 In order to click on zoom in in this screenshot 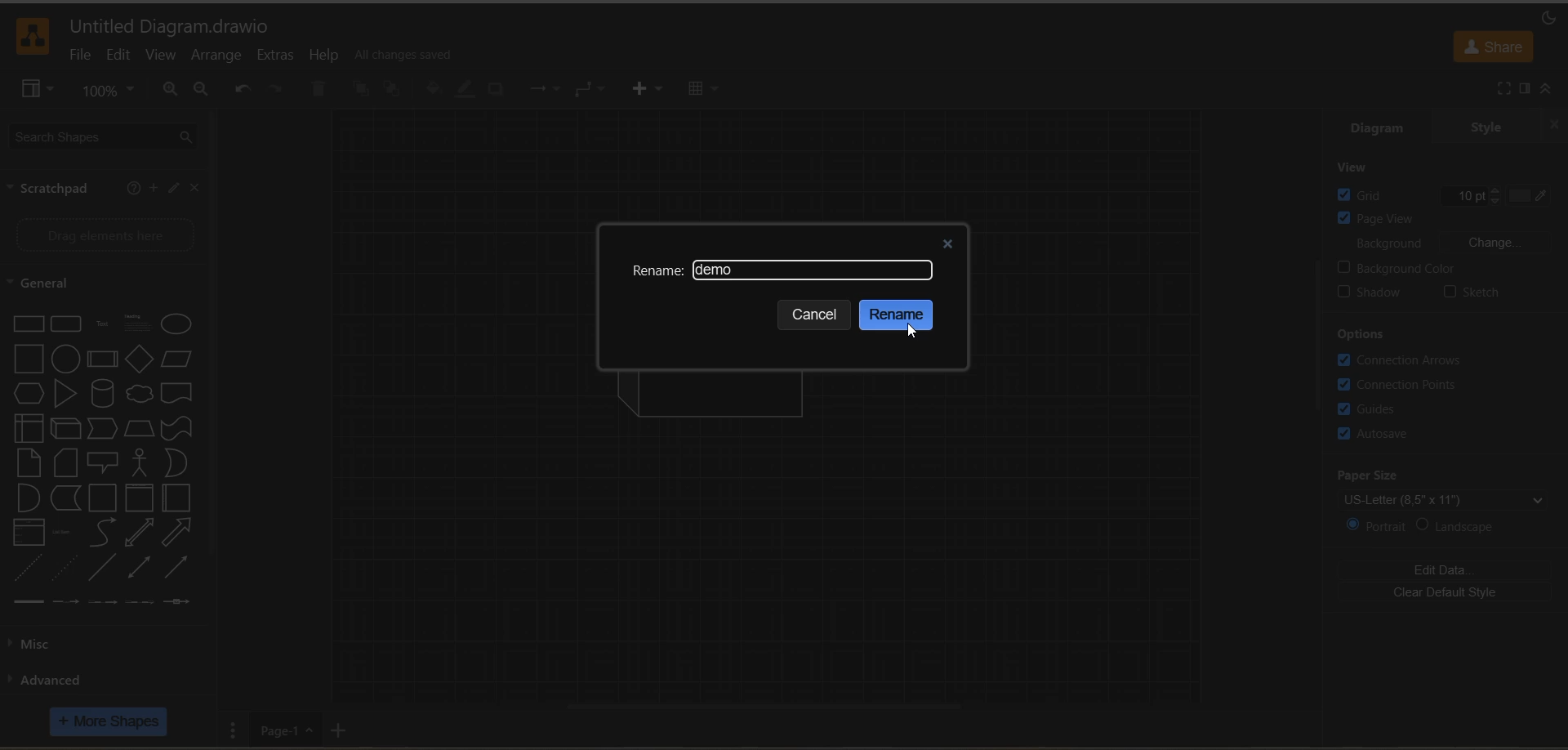, I will do `click(171, 91)`.